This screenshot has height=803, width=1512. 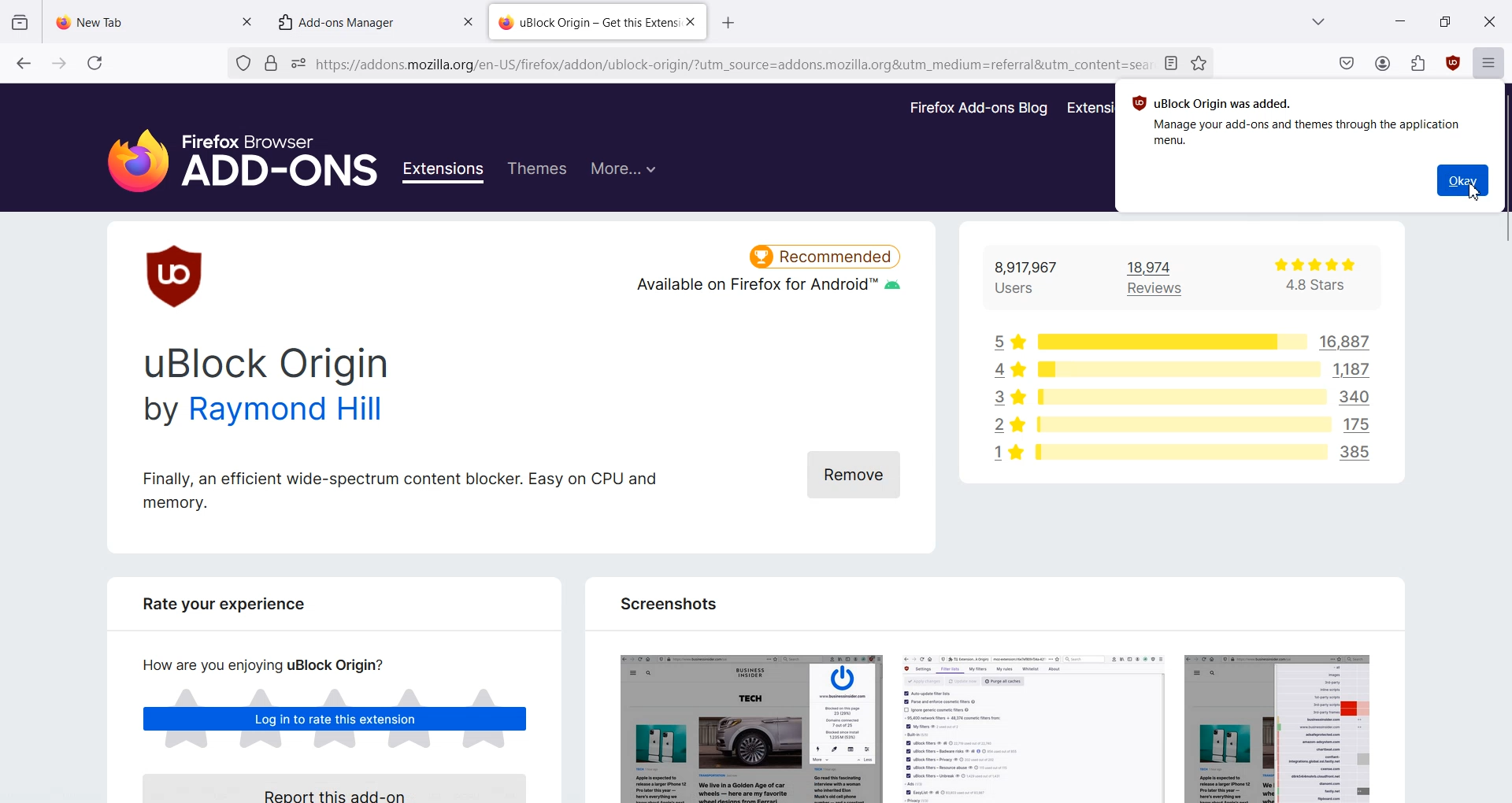 What do you see at coordinates (1167, 341) in the screenshot?
I see `rating bar` at bounding box center [1167, 341].